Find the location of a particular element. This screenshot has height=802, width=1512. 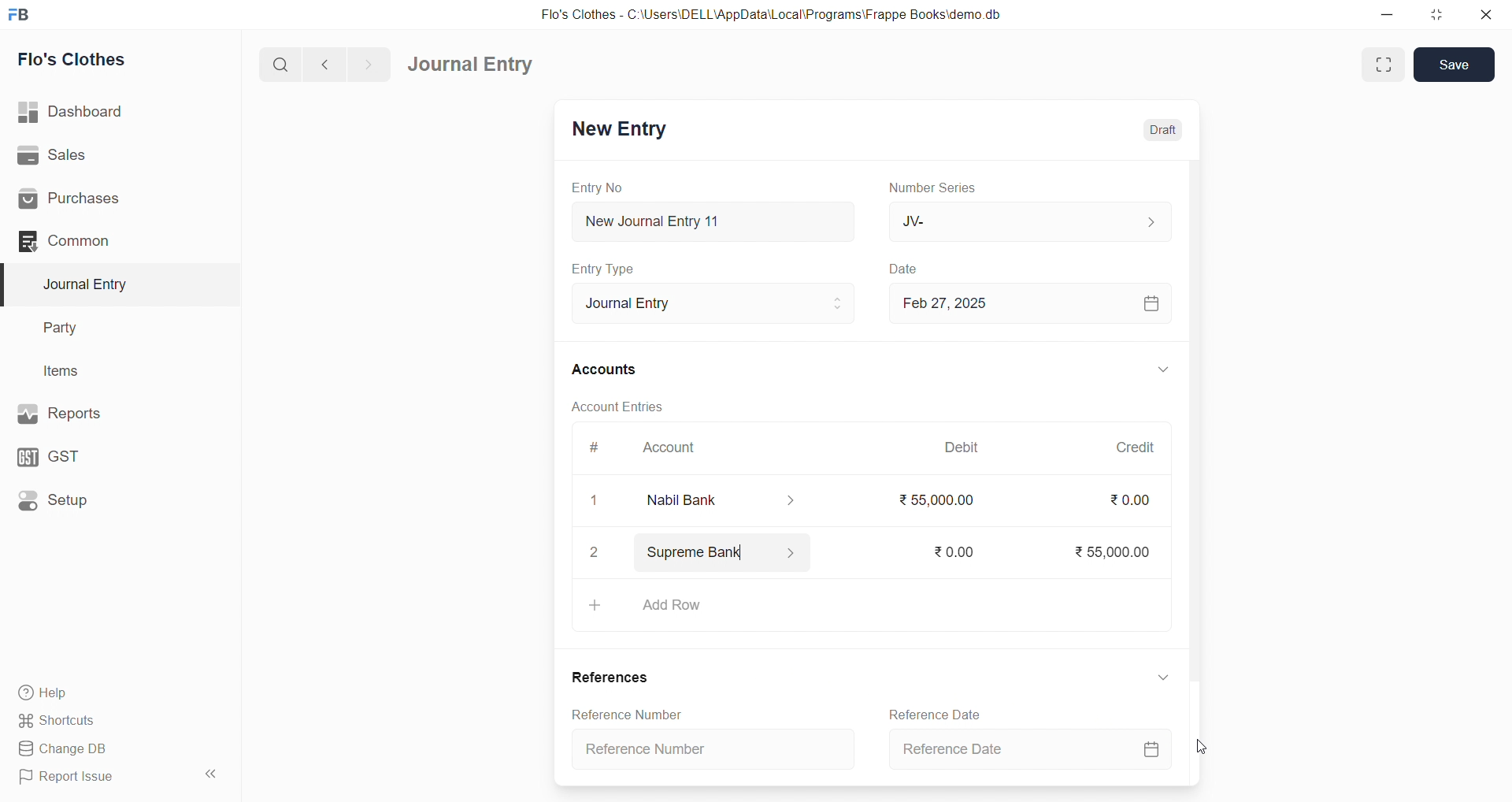

EXPAND/COLLAPSE is located at coordinates (1162, 369).